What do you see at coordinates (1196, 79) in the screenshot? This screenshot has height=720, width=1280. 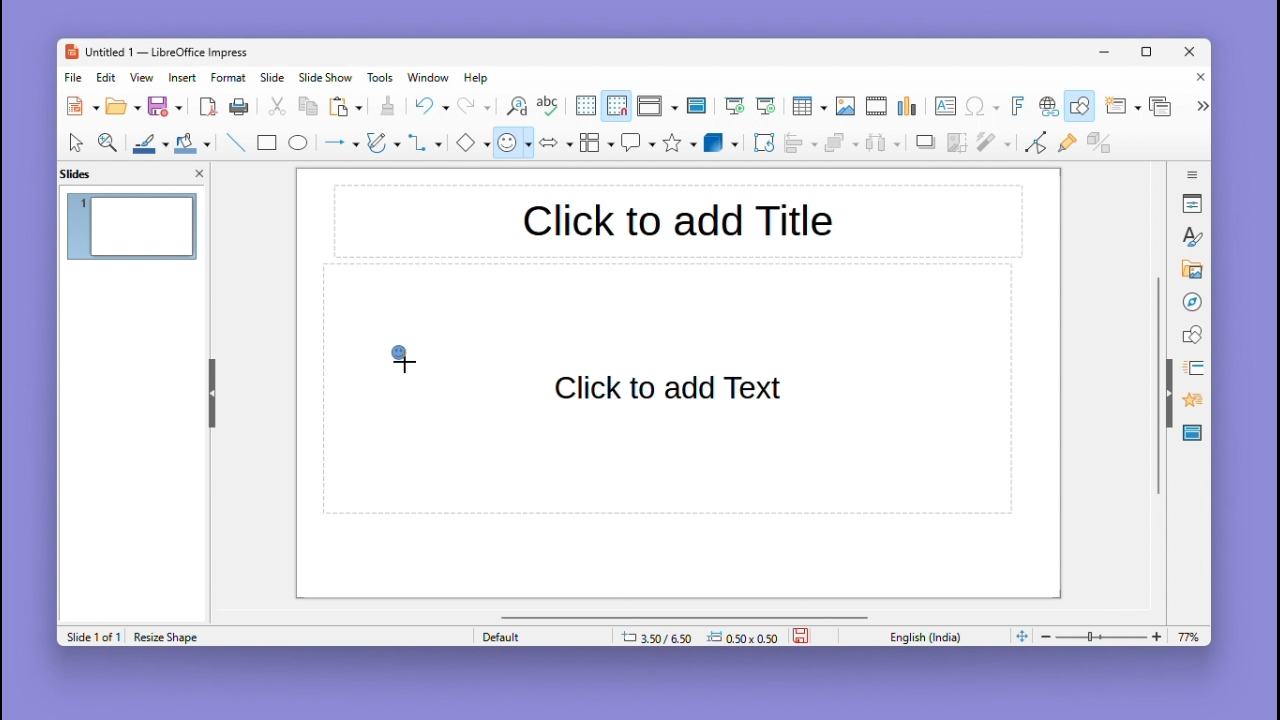 I see `Close` at bounding box center [1196, 79].